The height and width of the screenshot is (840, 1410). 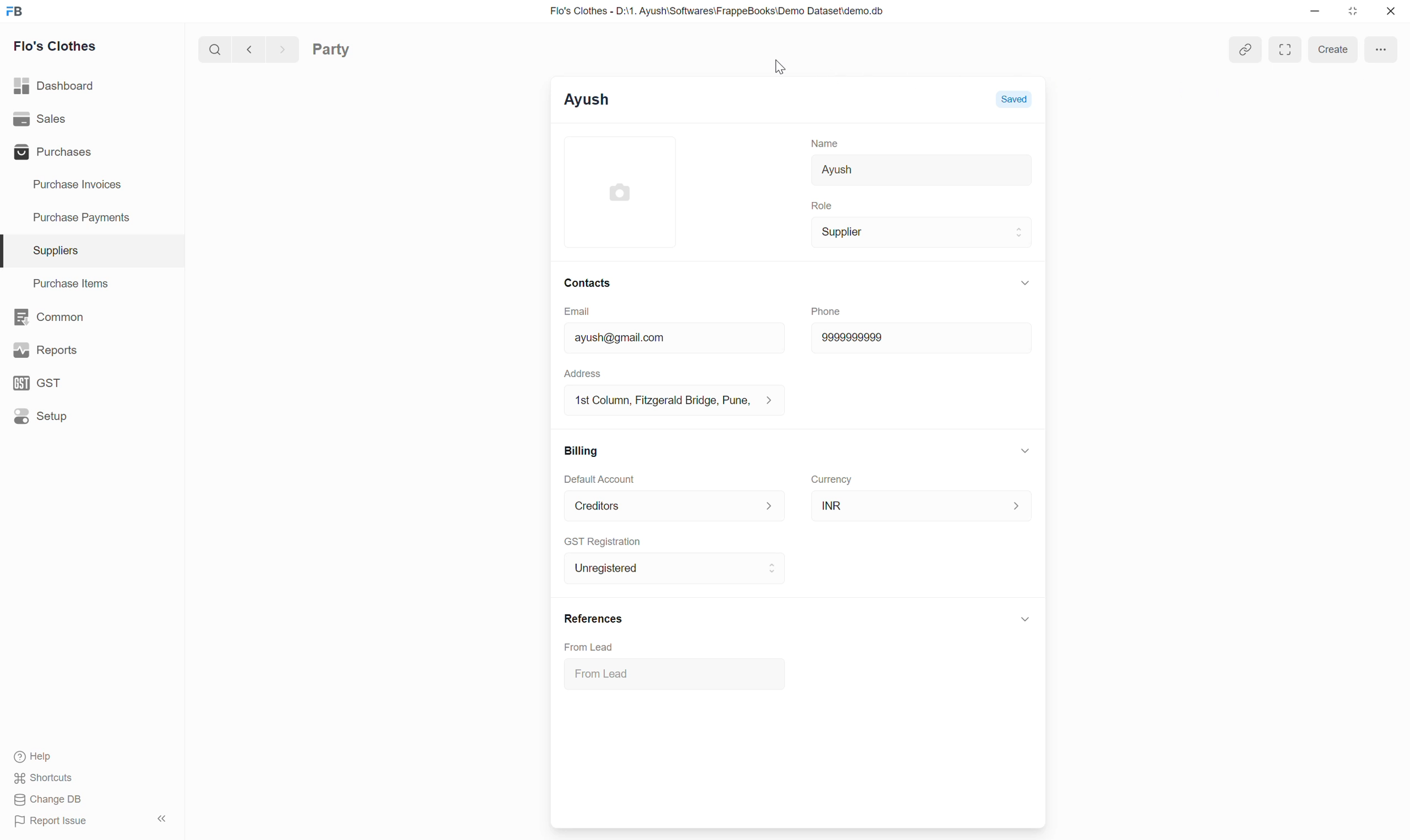 I want to click on Unregistered, so click(x=675, y=568).